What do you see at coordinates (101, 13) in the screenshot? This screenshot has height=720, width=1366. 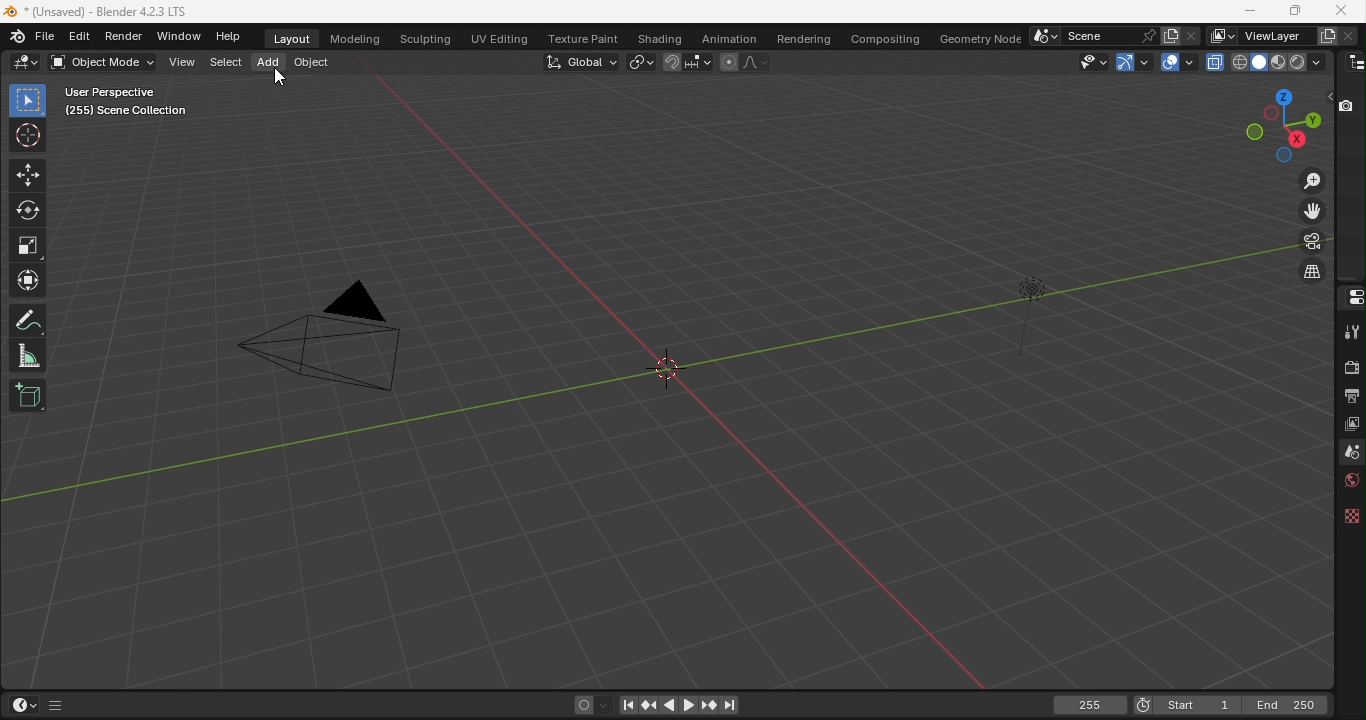 I see `Document name` at bounding box center [101, 13].